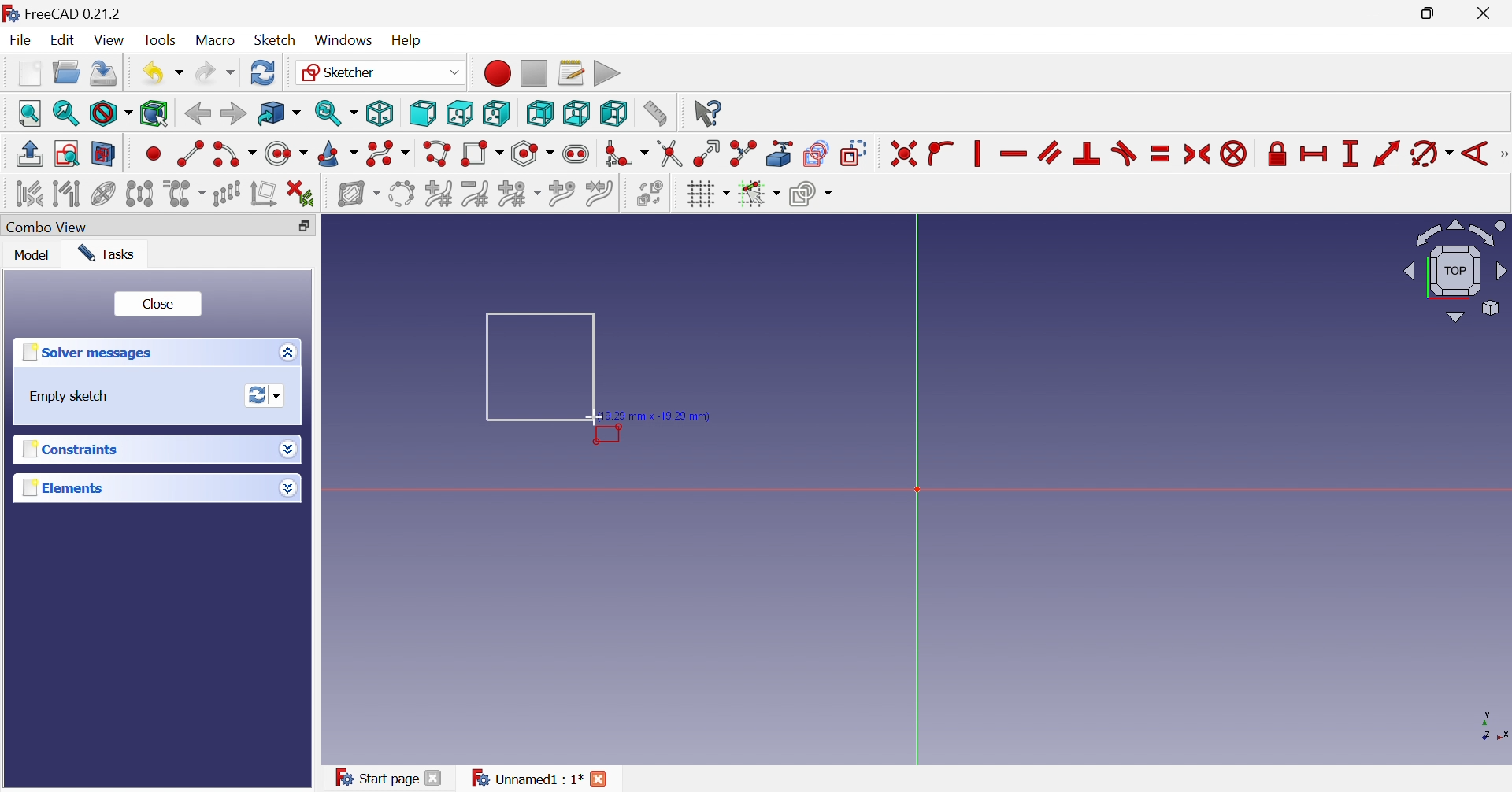  I want to click on File, so click(24, 41).